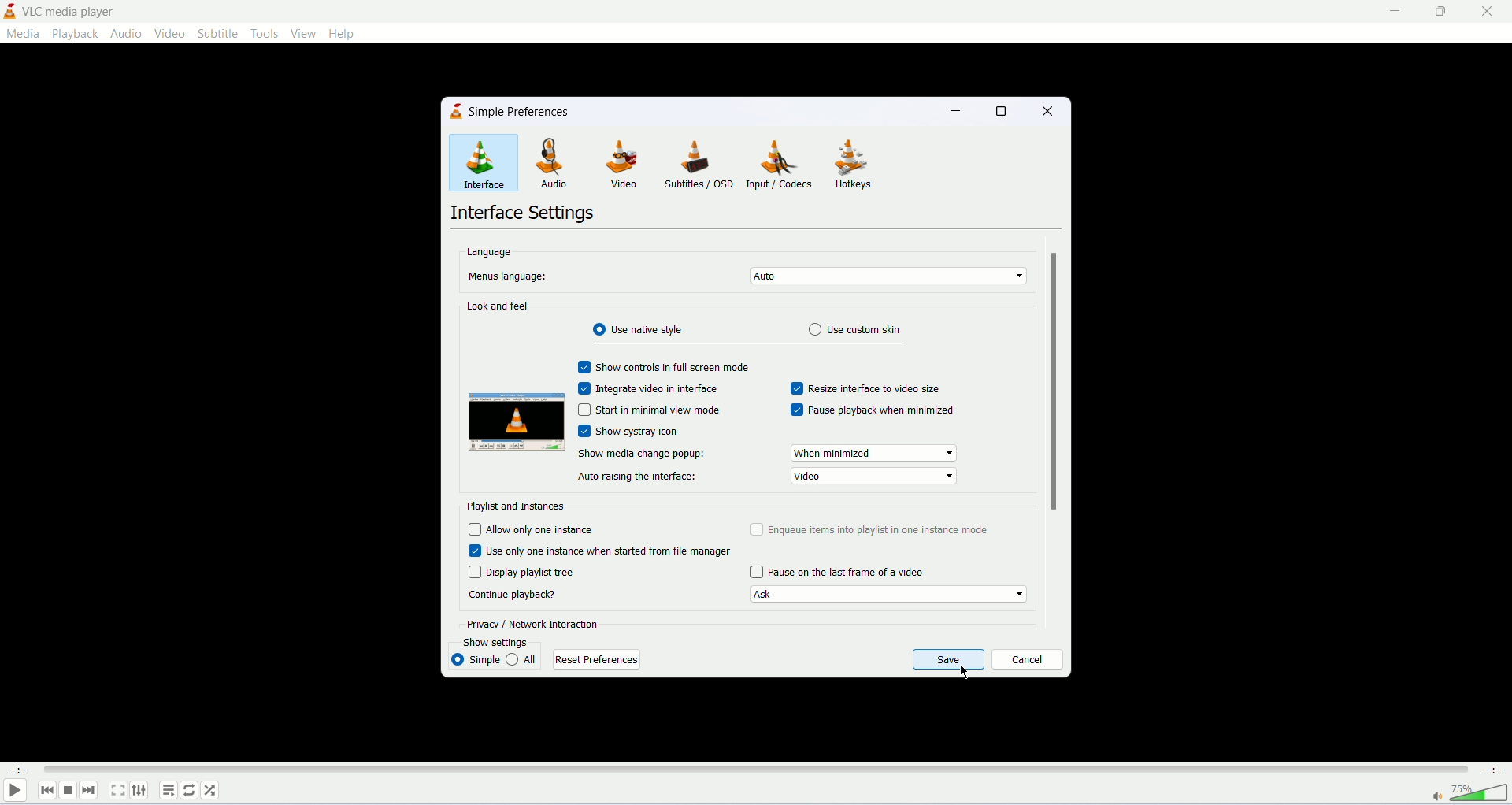 Image resolution: width=1512 pixels, height=805 pixels. I want to click on reset preferences, so click(598, 660).